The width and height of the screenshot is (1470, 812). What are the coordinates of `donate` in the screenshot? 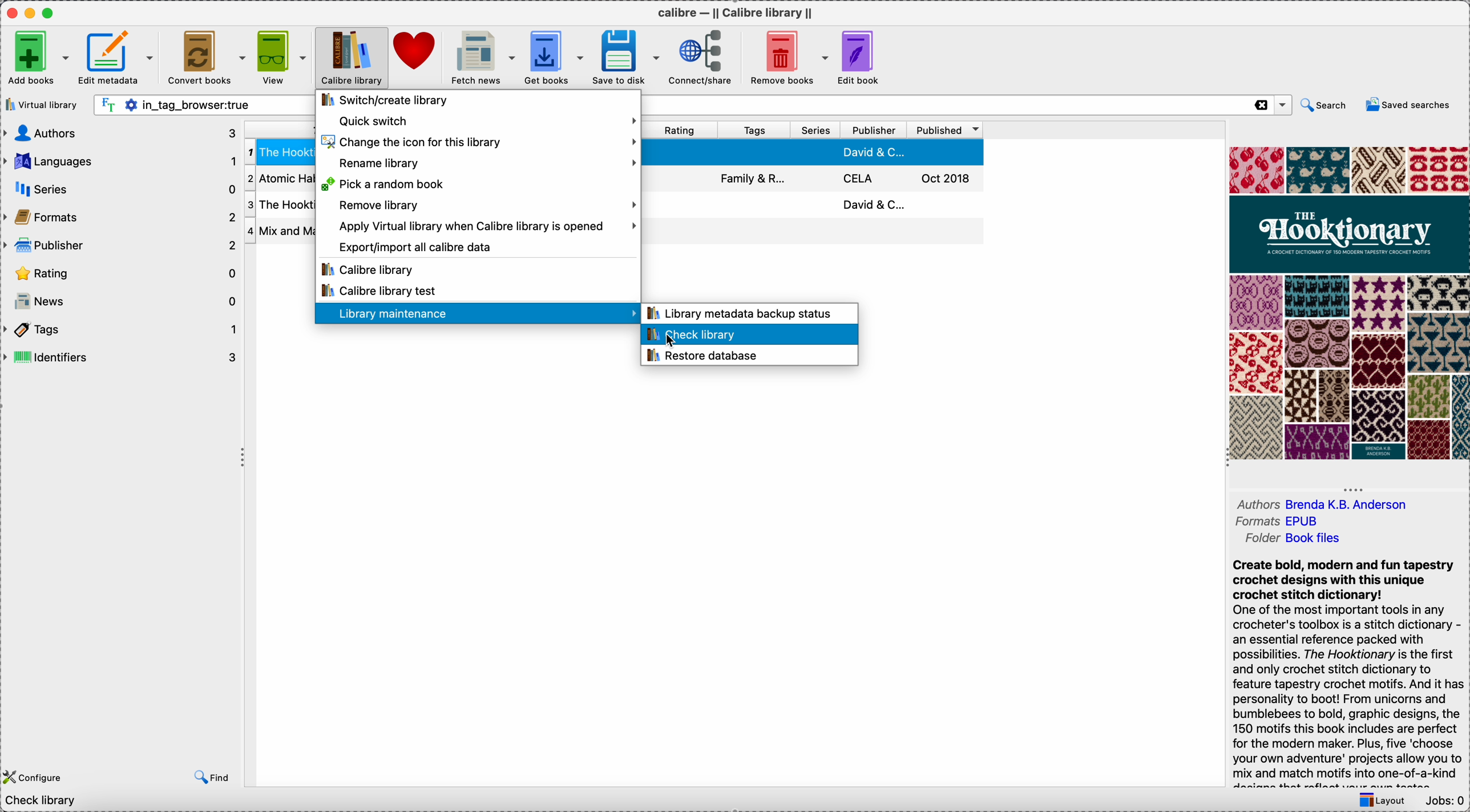 It's located at (415, 55).